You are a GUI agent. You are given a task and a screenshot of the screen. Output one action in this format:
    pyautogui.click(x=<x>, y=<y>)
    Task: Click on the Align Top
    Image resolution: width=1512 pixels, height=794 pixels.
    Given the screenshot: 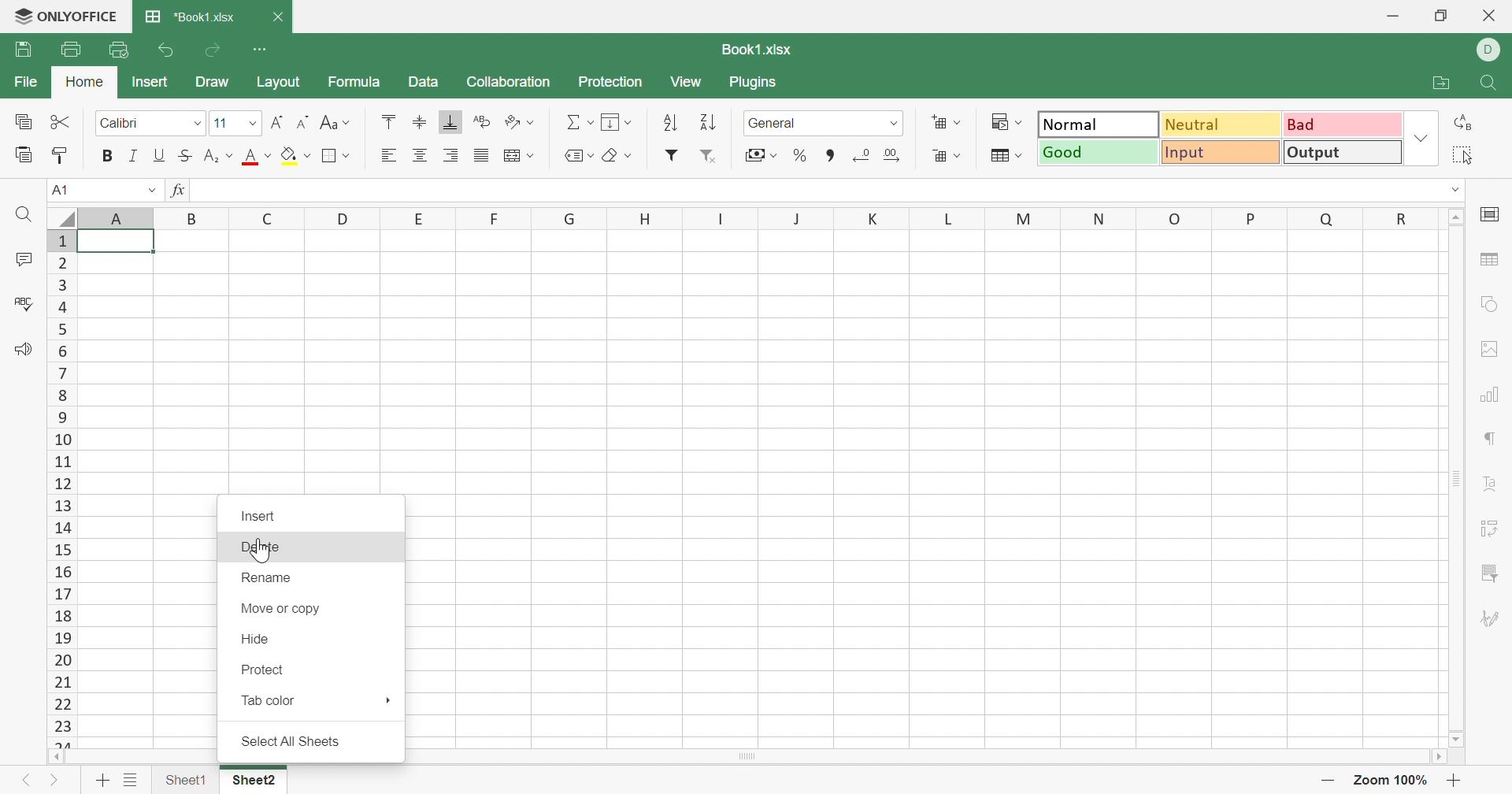 What is the action you would take?
    pyautogui.click(x=390, y=122)
    